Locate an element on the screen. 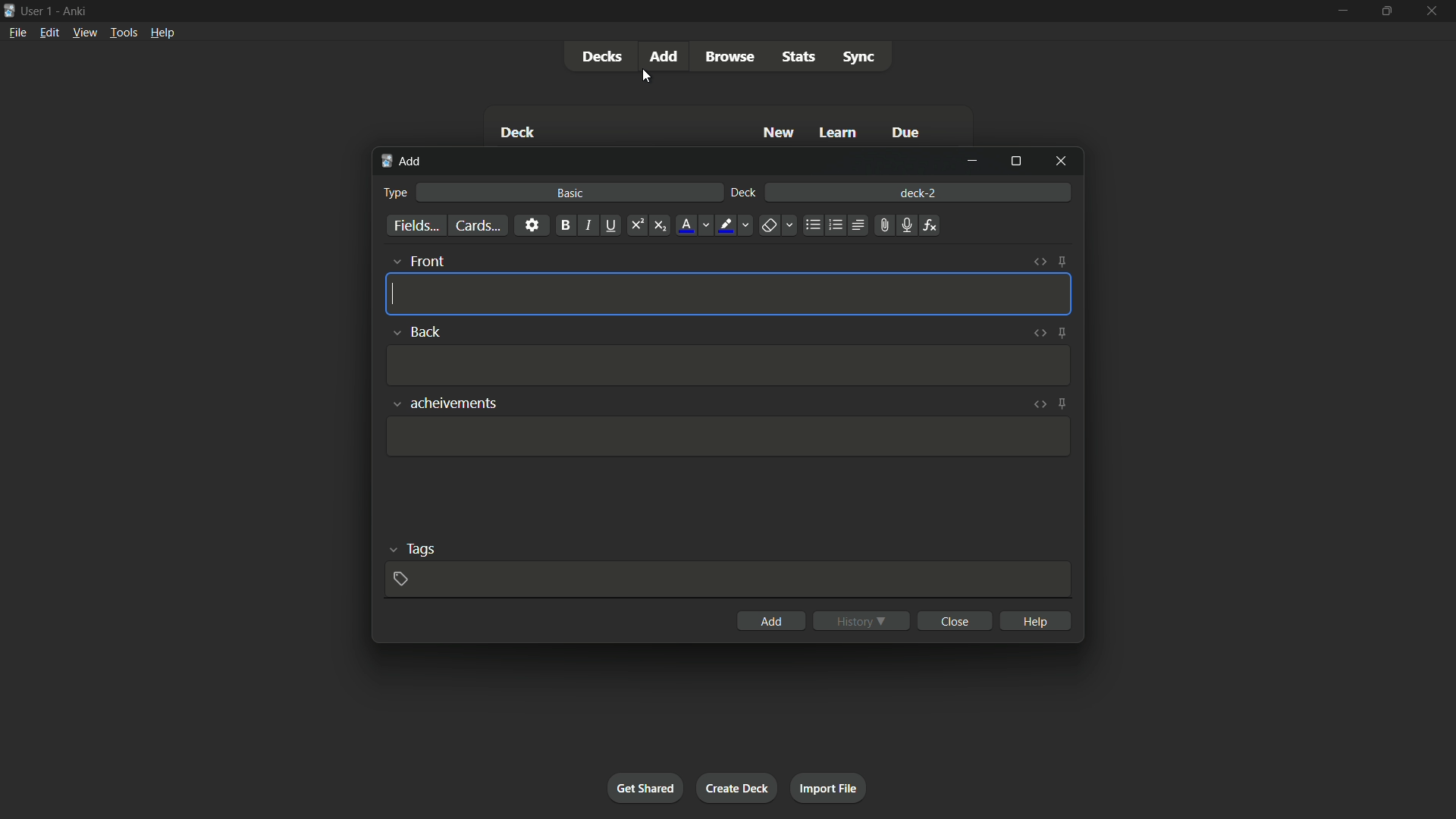 Image resolution: width=1456 pixels, height=819 pixels. basic is located at coordinates (572, 193).